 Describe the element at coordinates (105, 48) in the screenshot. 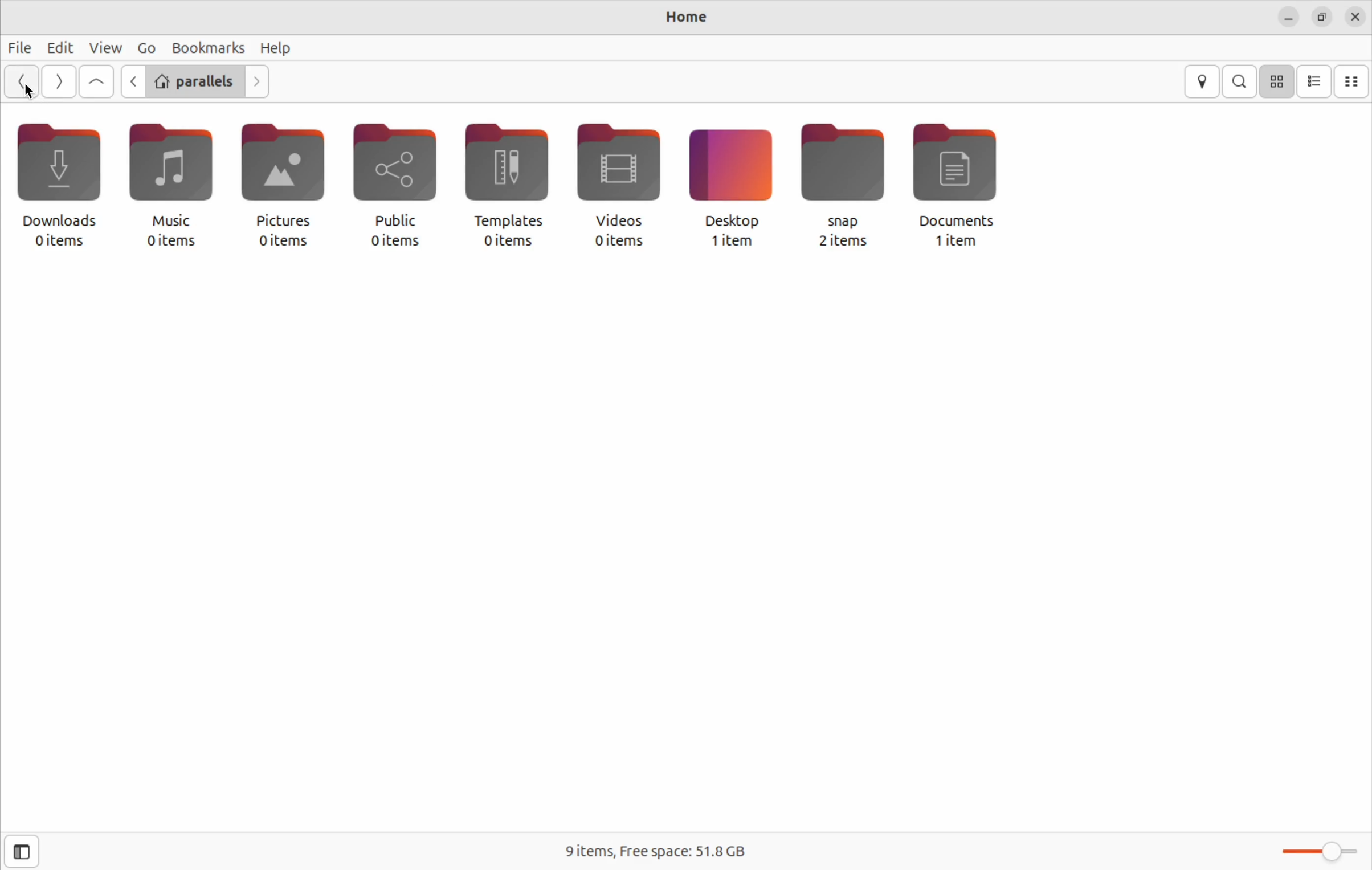

I see `view` at that location.